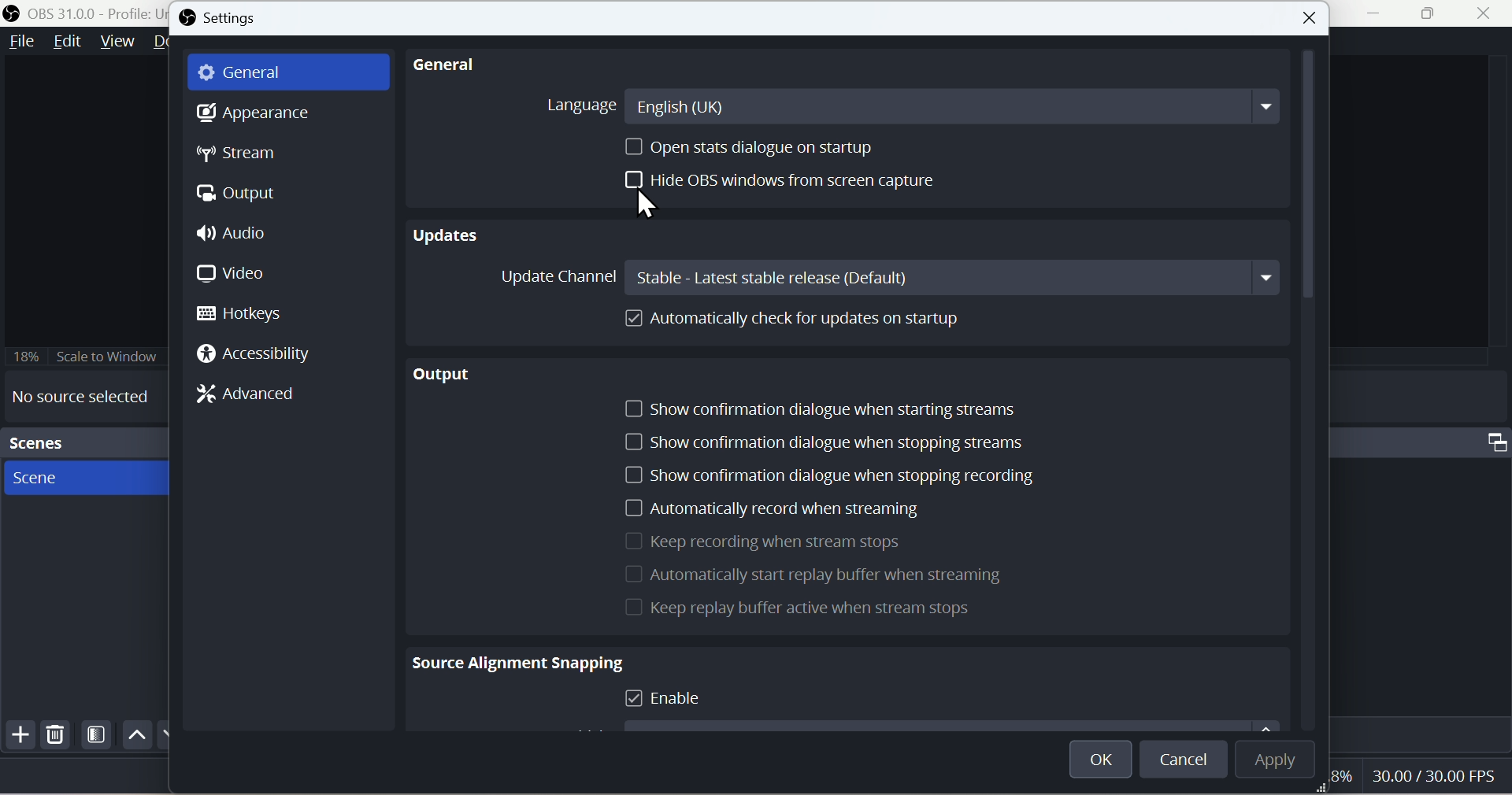 The image size is (1512, 795). I want to click on English(UK), so click(956, 105).